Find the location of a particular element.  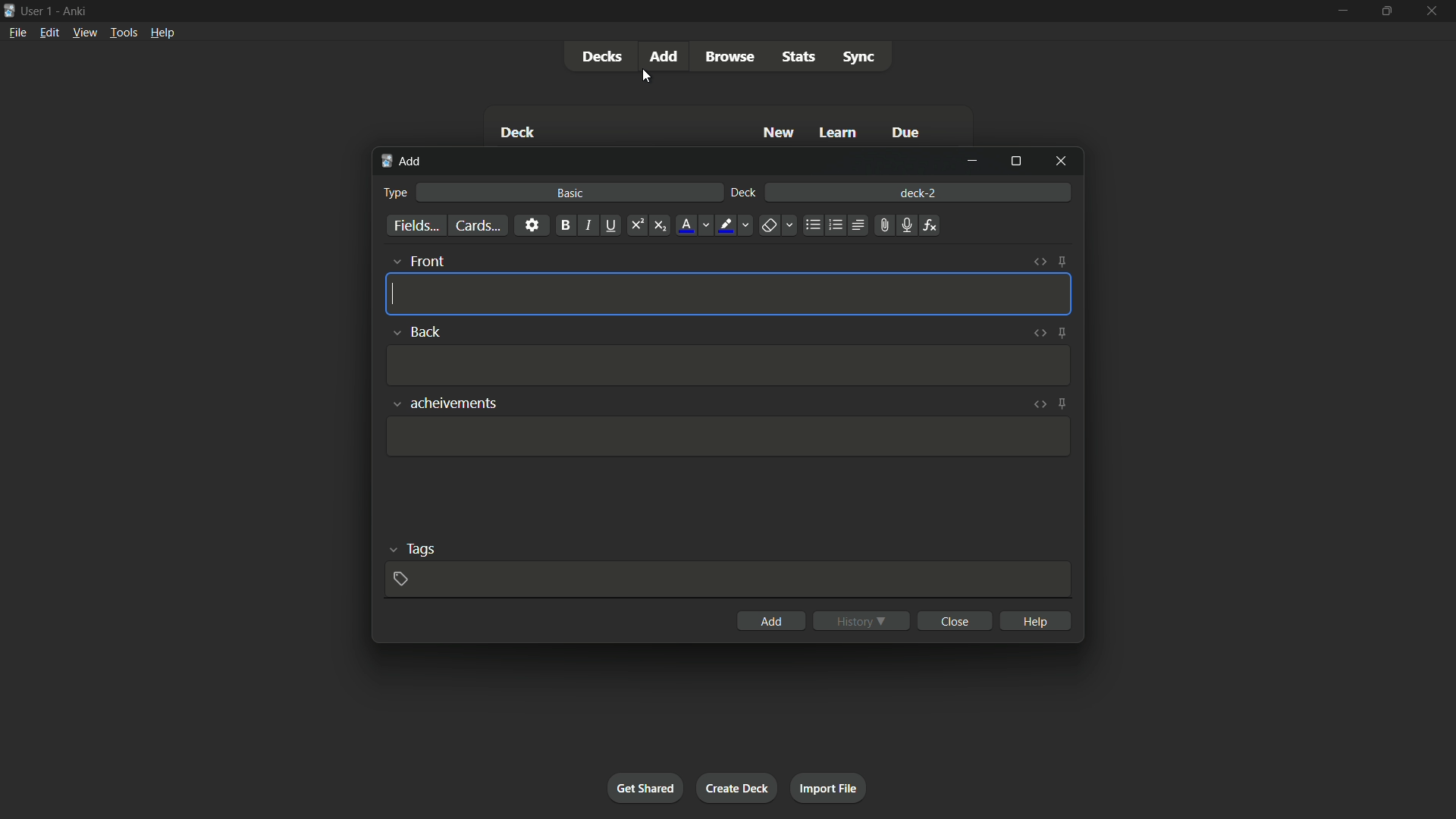

New is located at coordinates (777, 133).